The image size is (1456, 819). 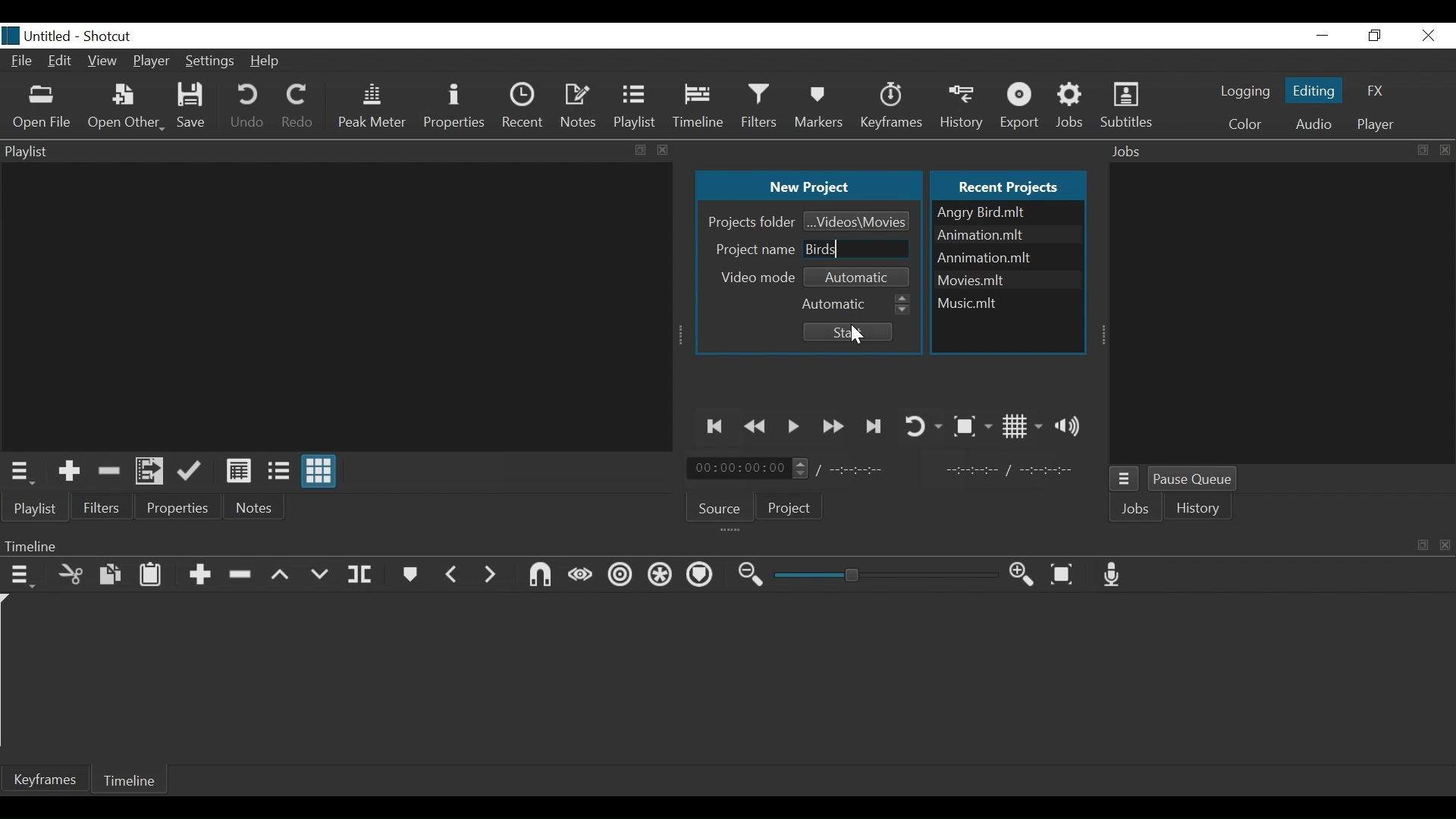 What do you see at coordinates (491, 573) in the screenshot?
I see `Next Marker` at bounding box center [491, 573].